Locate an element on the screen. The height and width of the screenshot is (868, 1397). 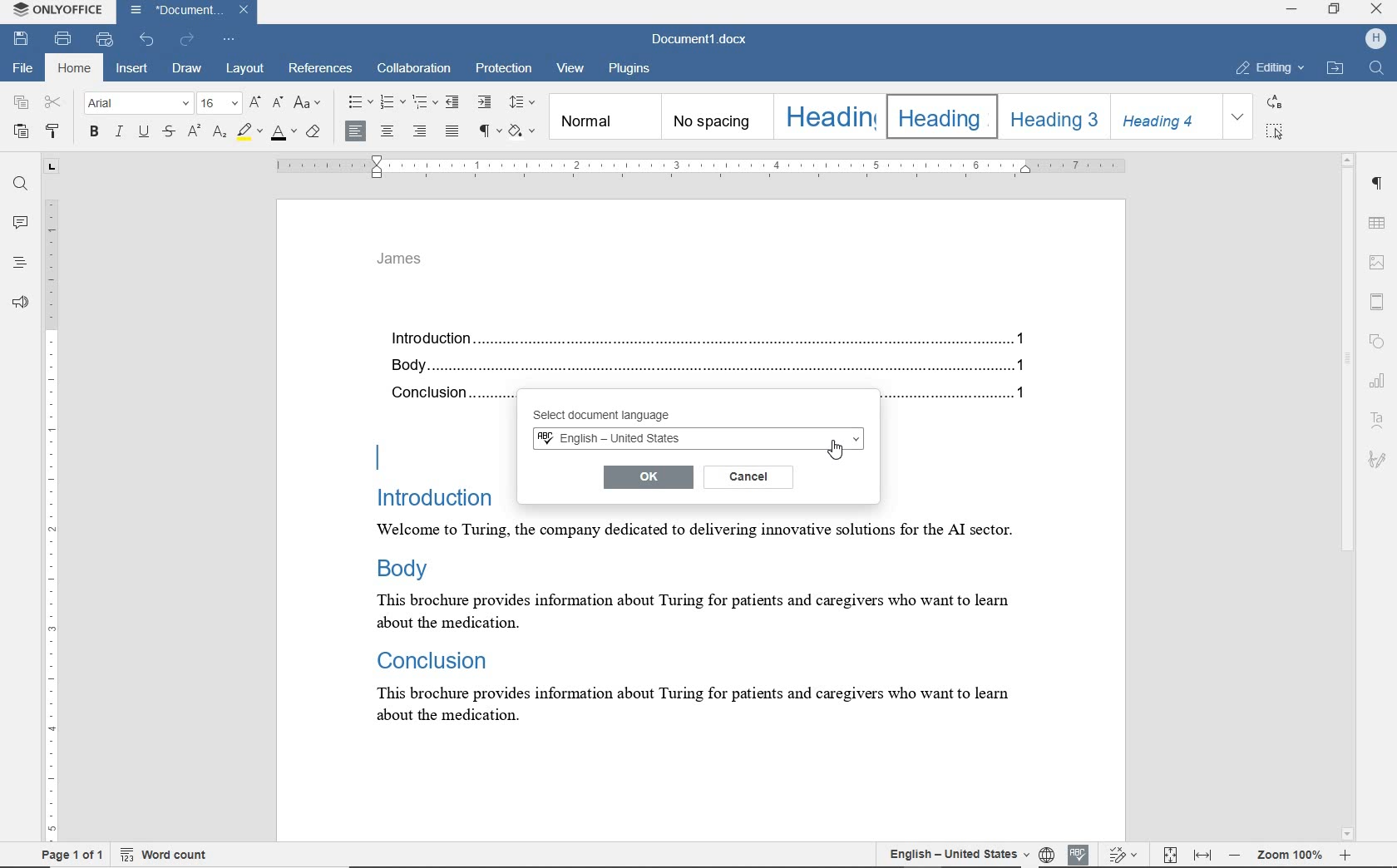
Welcome to Turing, the company dedicated to delivering innovative solutions for the Al sector. is located at coordinates (681, 531).